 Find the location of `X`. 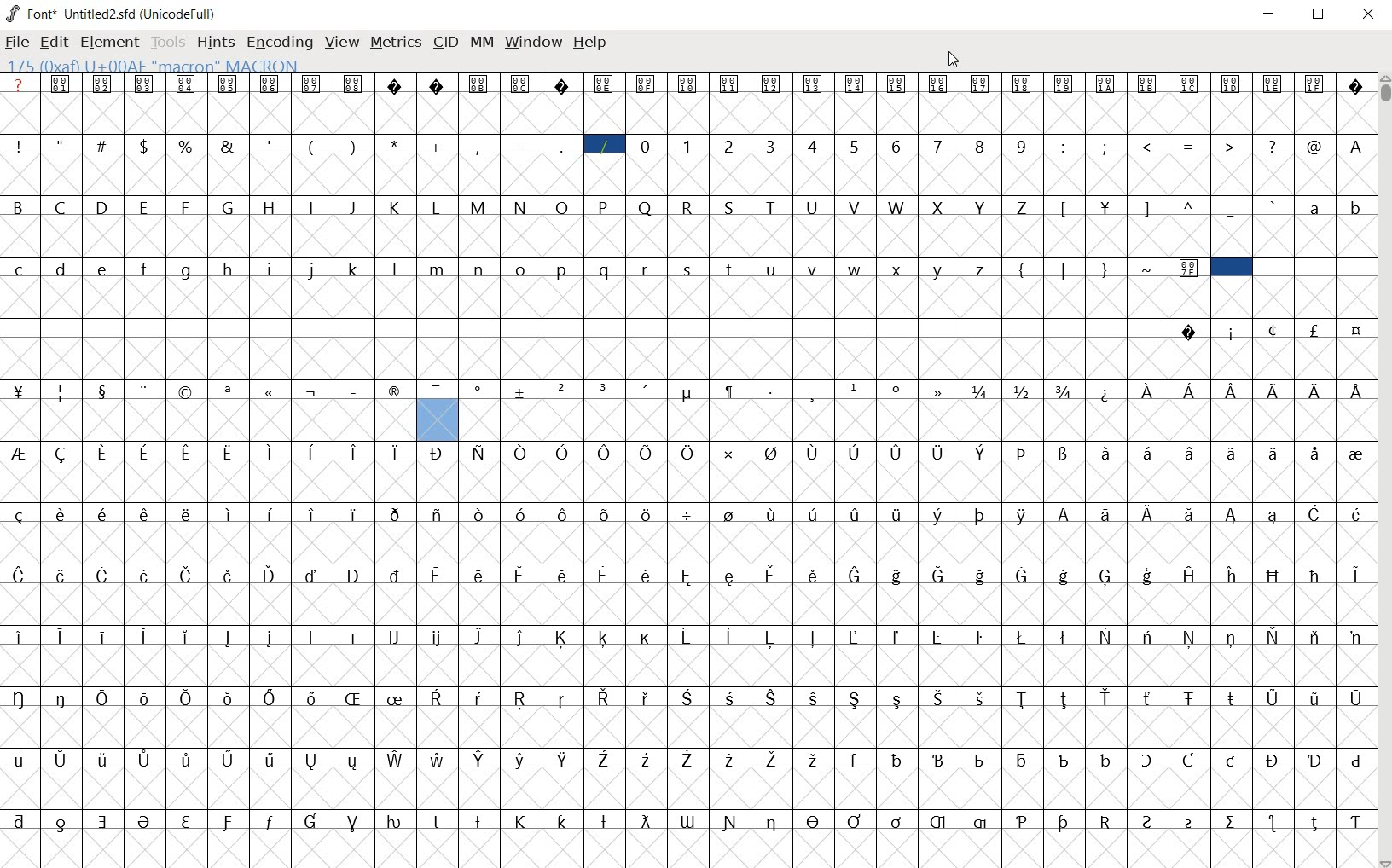

X is located at coordinates (940, 207).